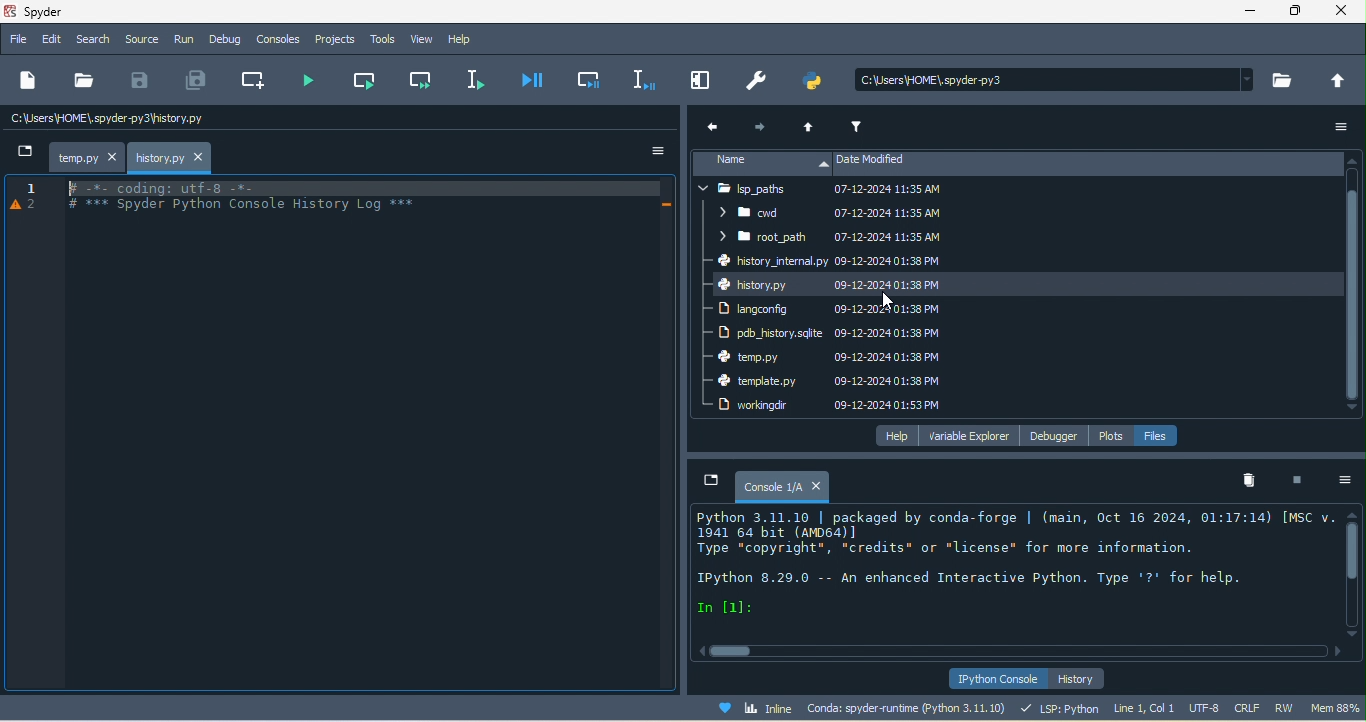 The height and width of the screenshot is (722, 1366). I want to click on interrupt kenel, so click(1298, 480).